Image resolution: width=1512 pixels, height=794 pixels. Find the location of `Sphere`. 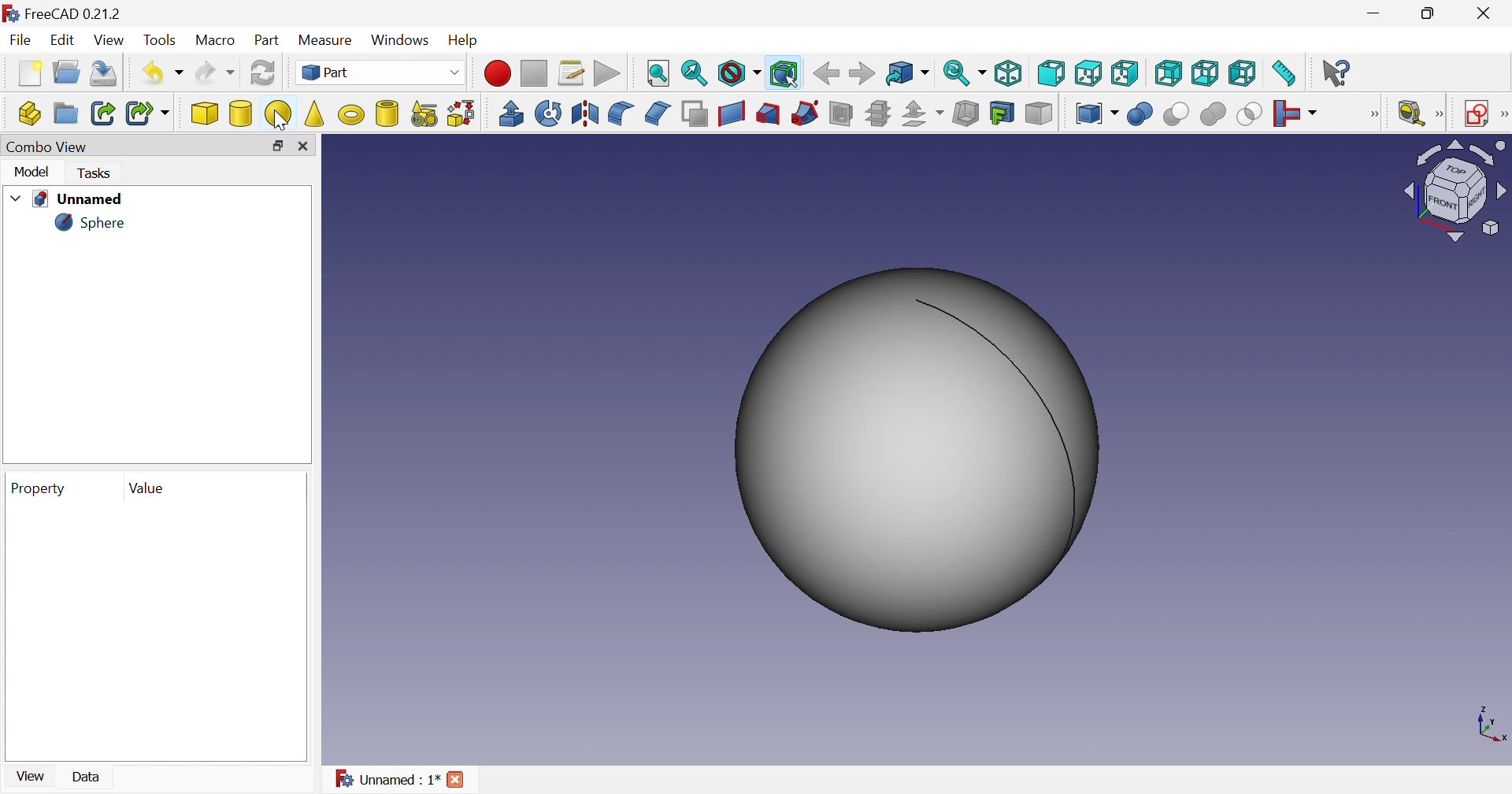

Sphere is located at coordinates (915, 452).